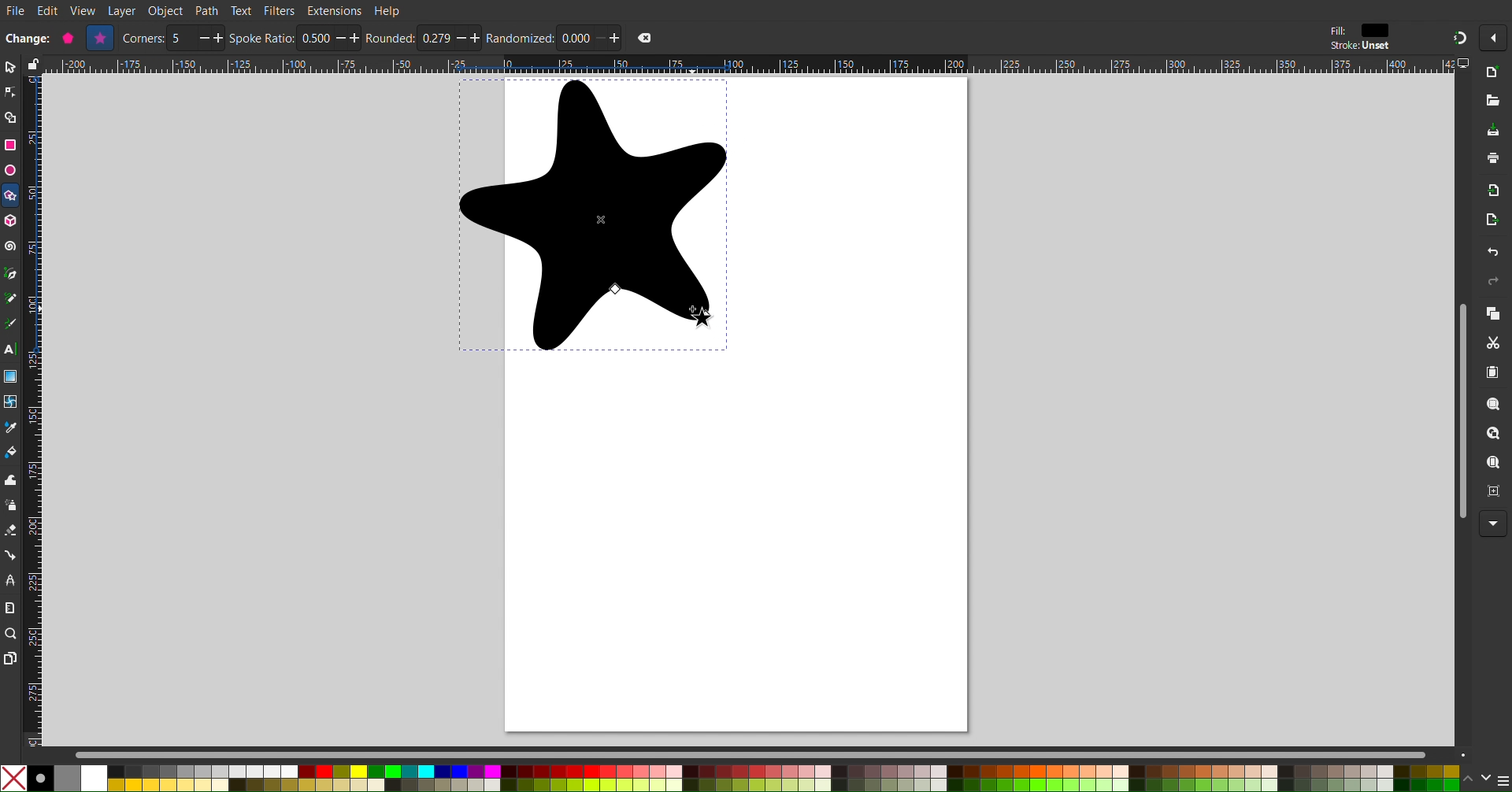  I want to click on increase/decrease, so click(610, 38).